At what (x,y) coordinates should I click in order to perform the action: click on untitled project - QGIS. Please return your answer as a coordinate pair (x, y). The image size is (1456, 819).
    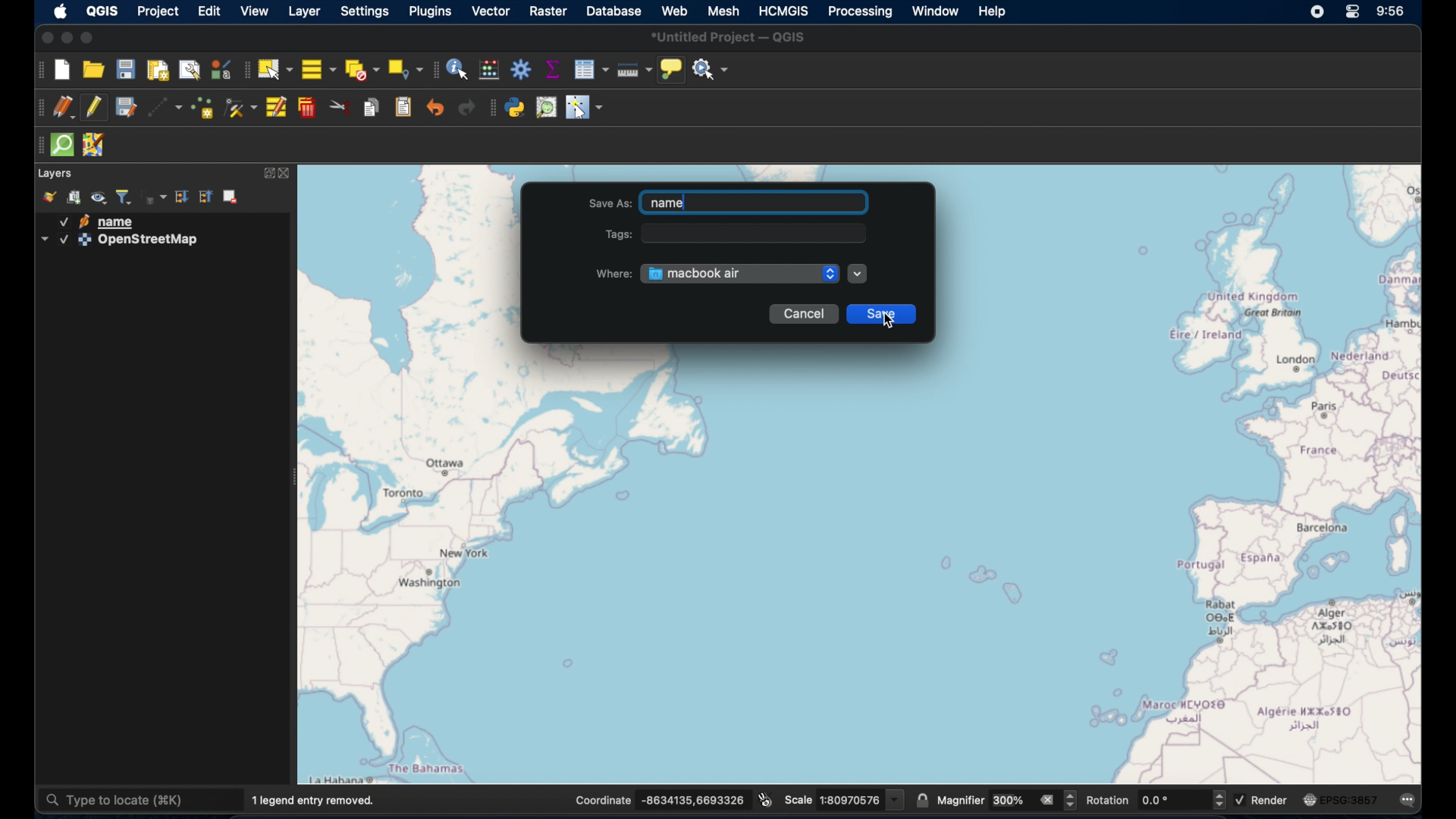
    Looking at the image, I should click on (730, 37).